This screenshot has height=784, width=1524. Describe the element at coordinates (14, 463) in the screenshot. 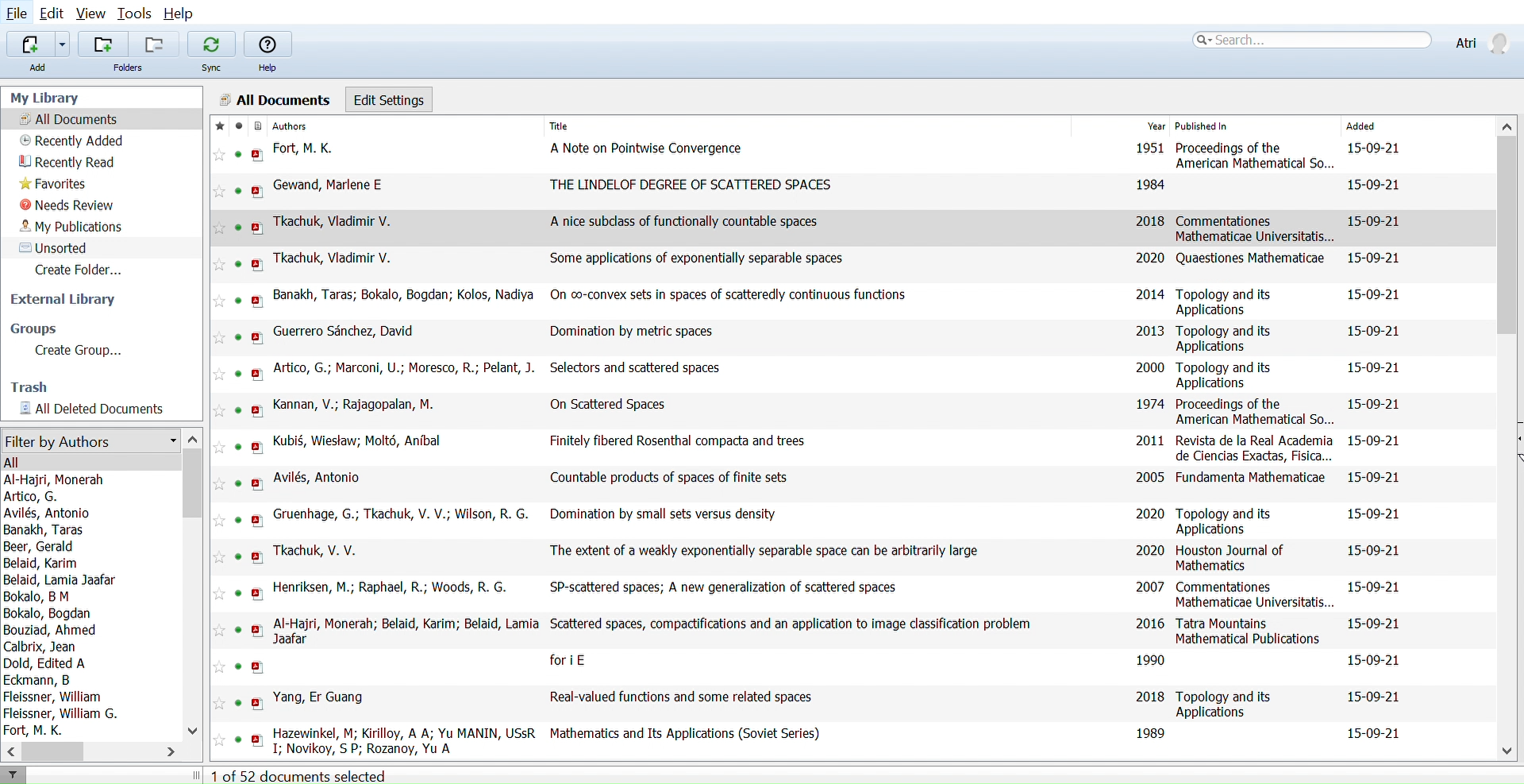

I see `All` at that location.